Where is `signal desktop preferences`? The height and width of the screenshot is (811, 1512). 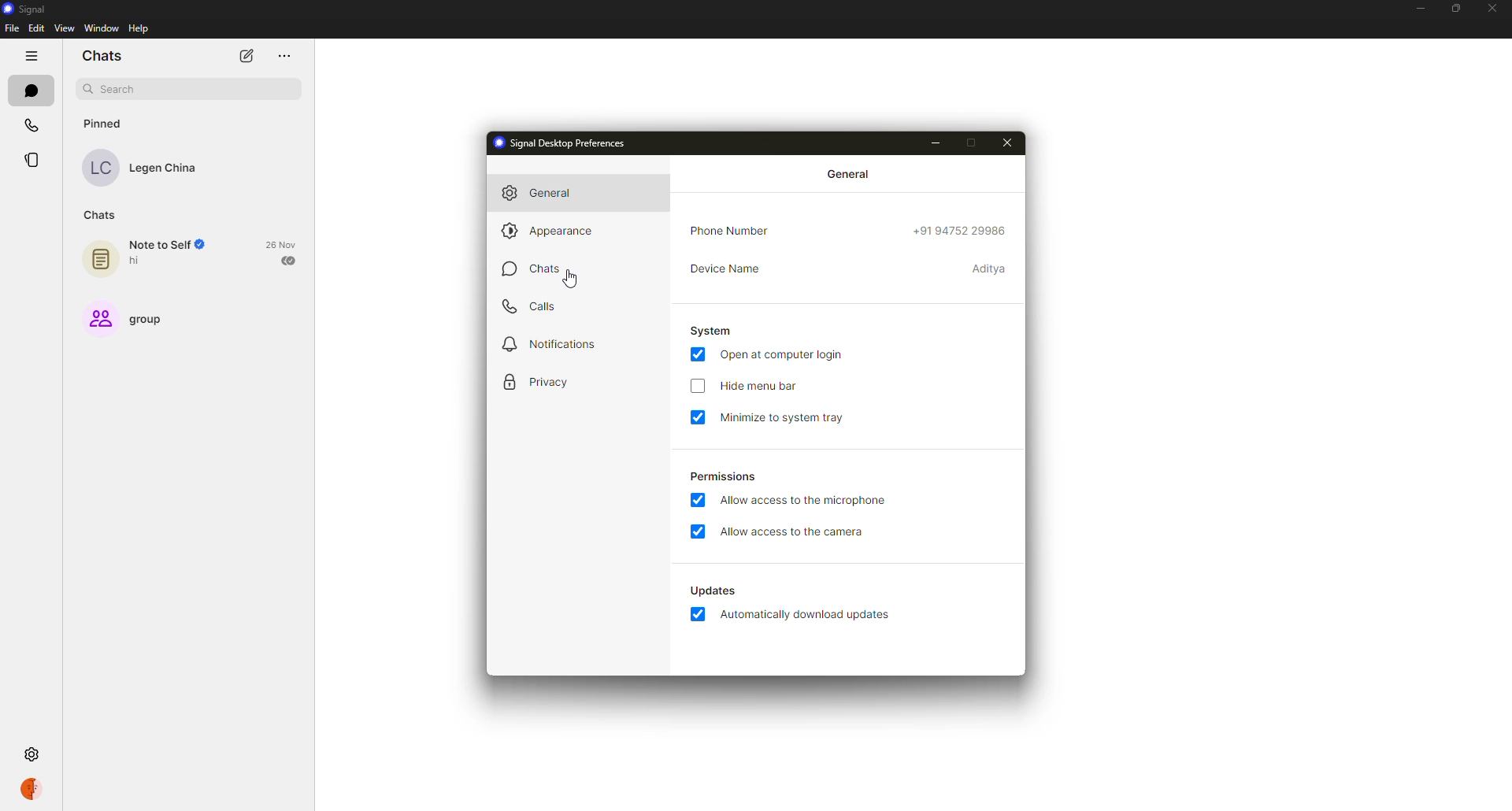 signal desktop preferences is located at coordinates (564, 143).